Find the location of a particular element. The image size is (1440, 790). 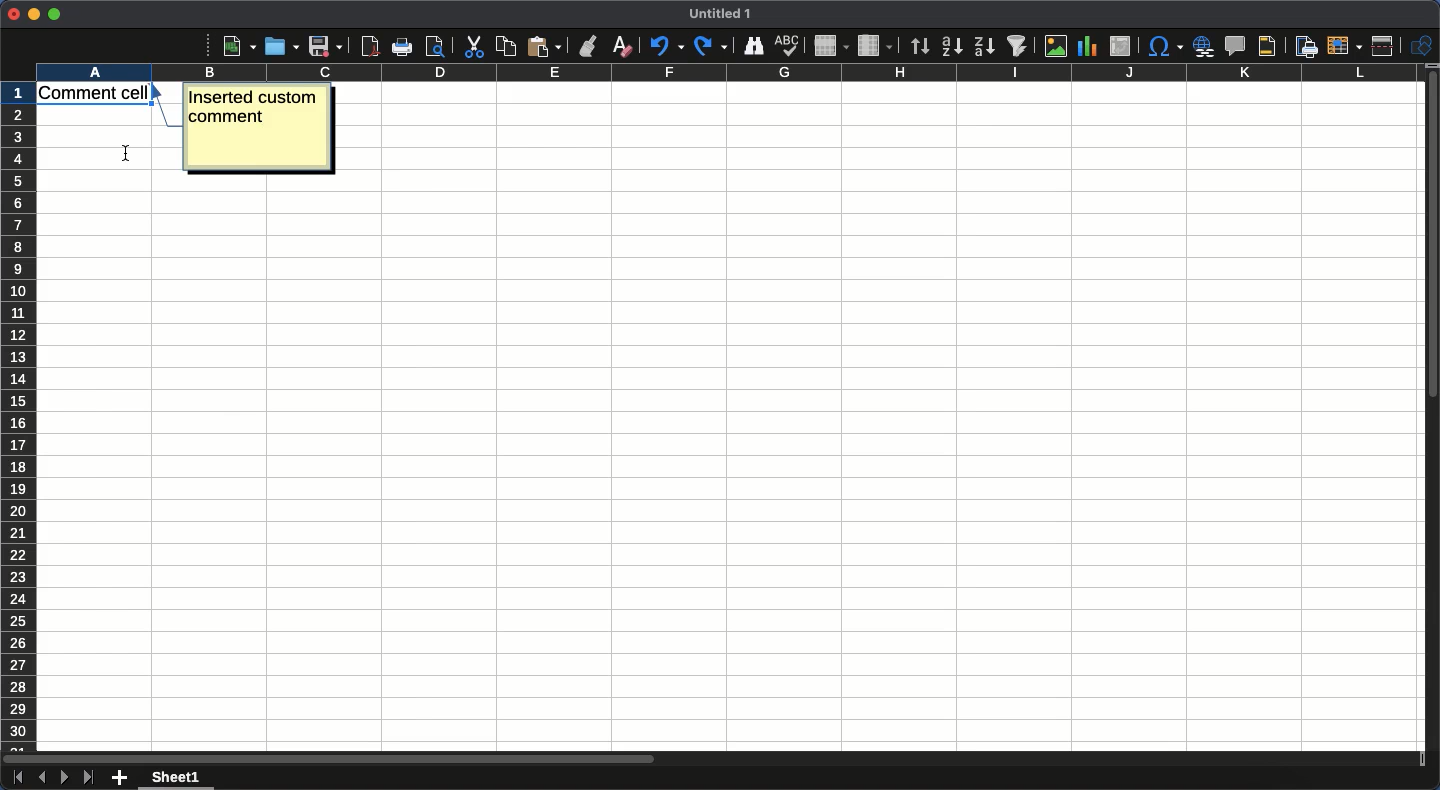

More is located at coordinates (202, 47).